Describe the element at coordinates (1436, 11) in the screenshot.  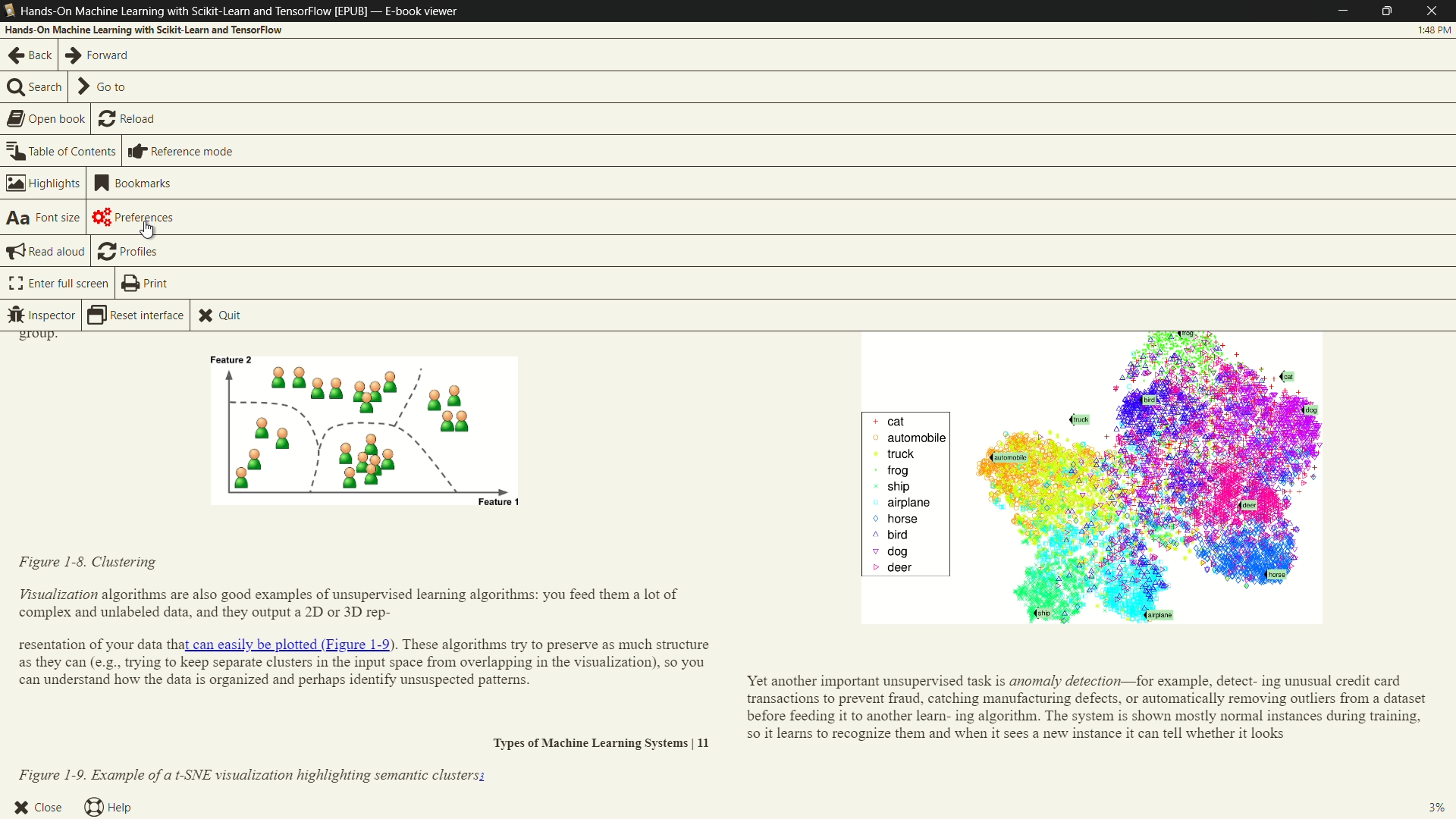
I see `close e-book viewer mode` at that location.